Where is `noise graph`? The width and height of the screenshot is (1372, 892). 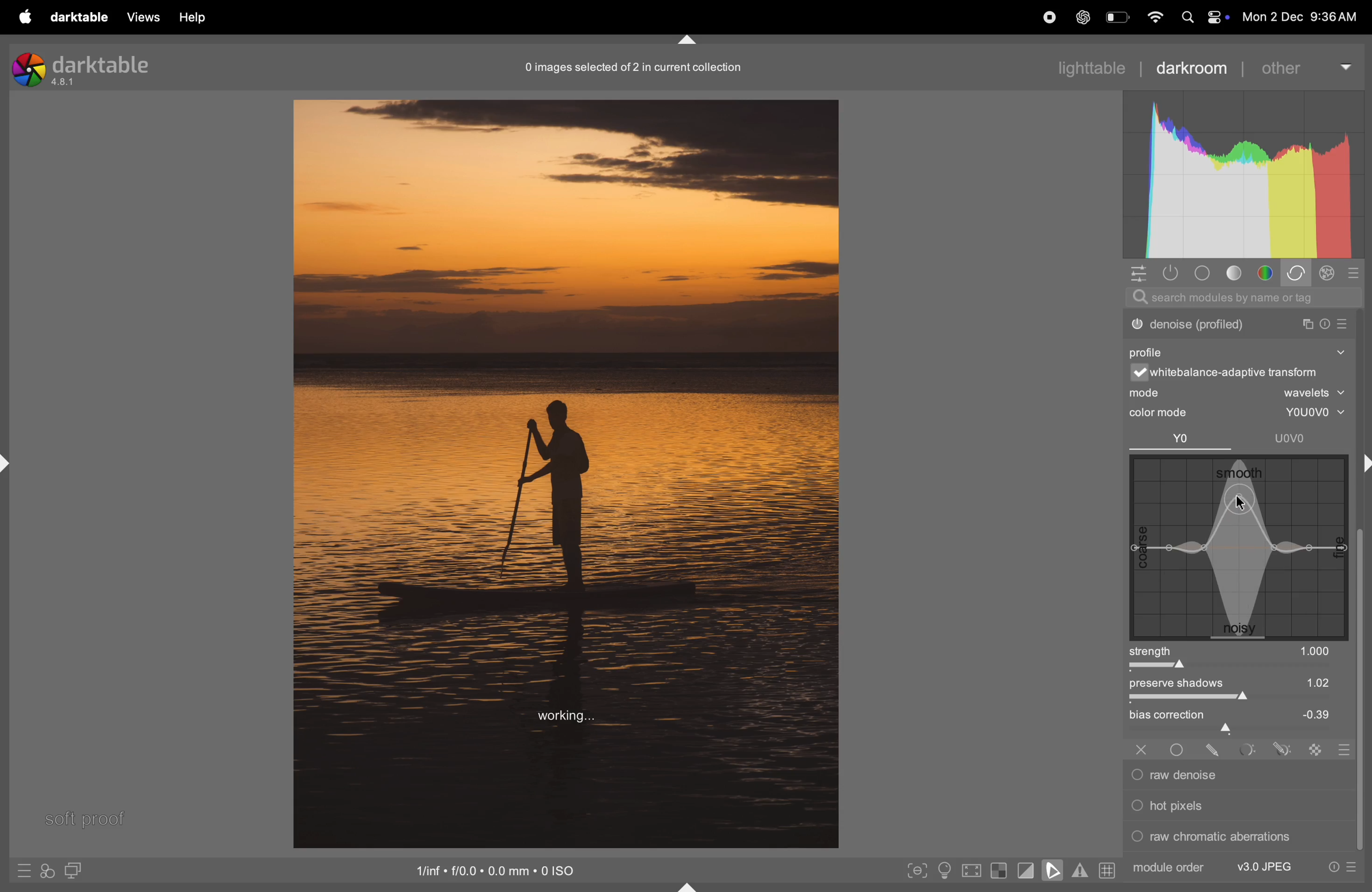
noise graph is located at coordinates (1239, 549).